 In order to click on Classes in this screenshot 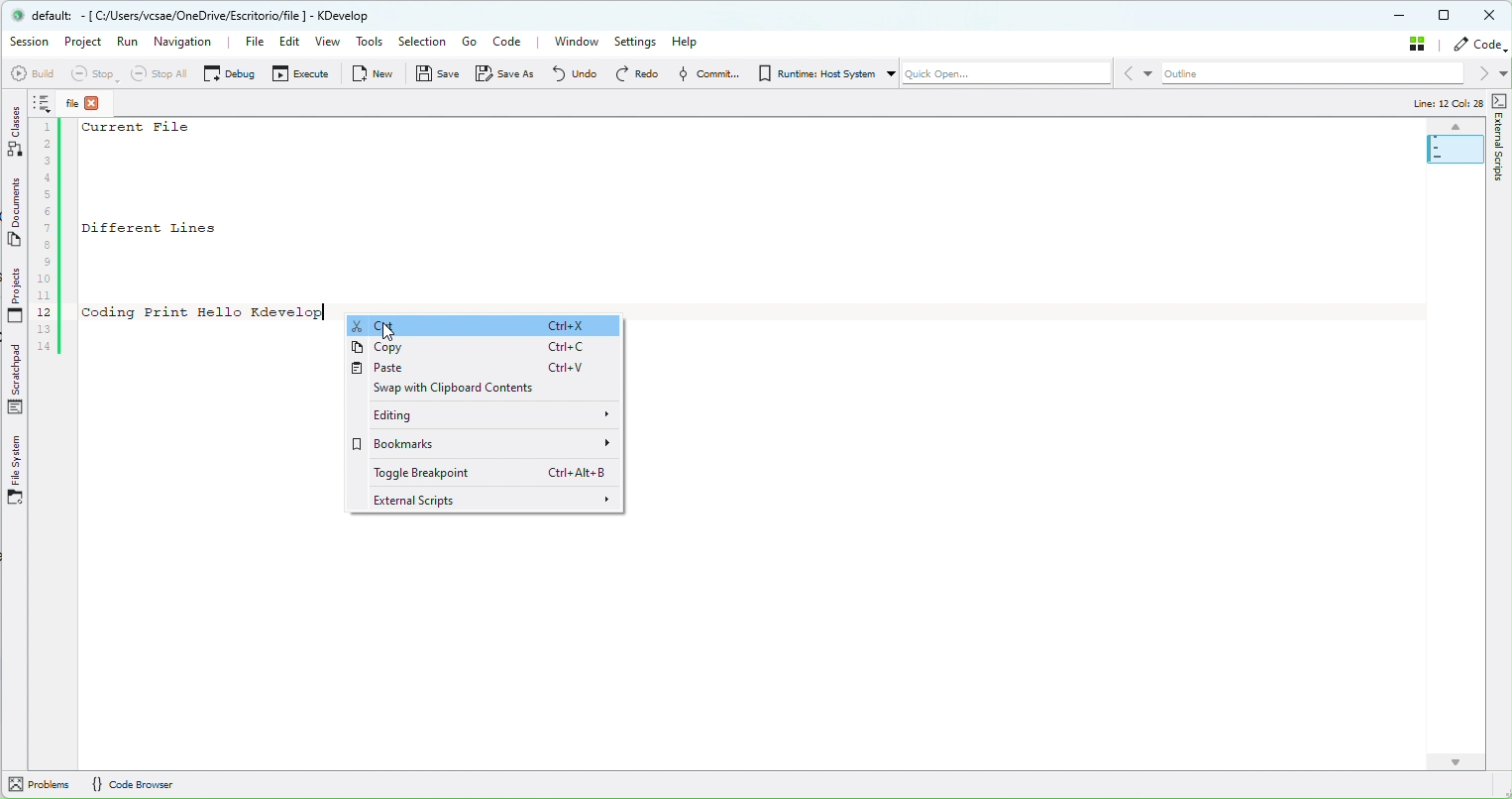, I will do `click(14, 133)`.